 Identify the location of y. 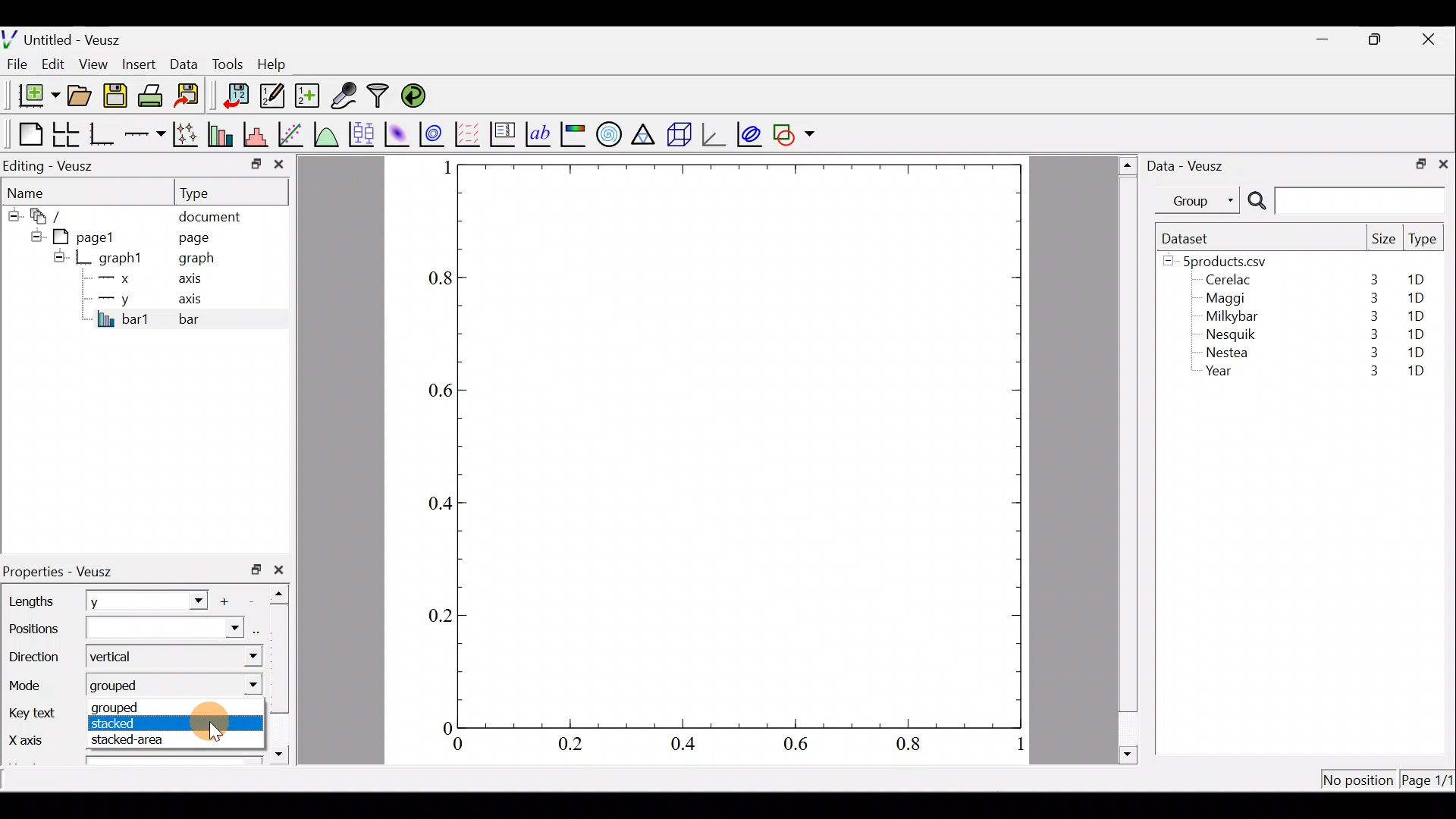
(114, 603).